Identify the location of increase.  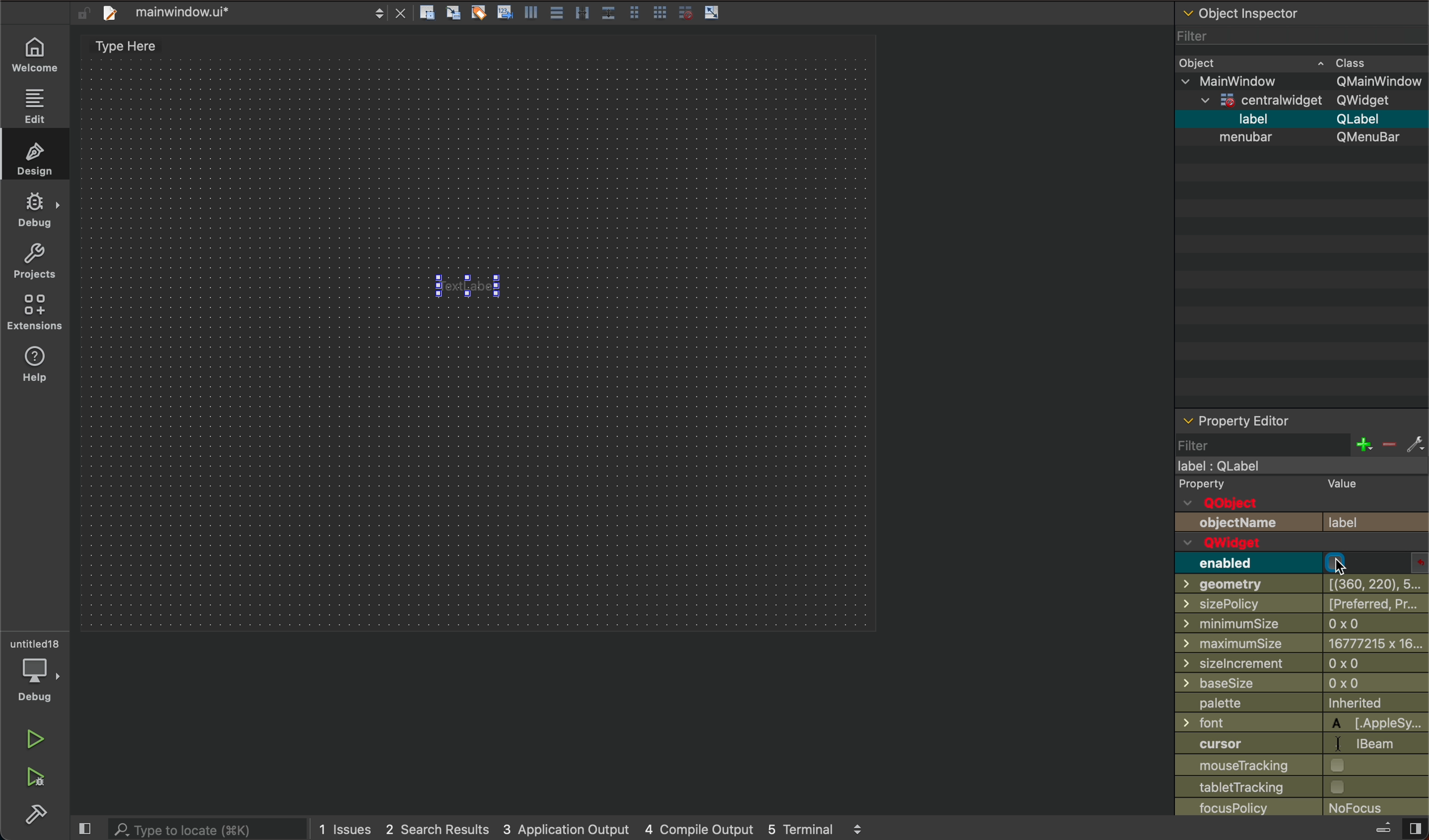
(1358, 444).